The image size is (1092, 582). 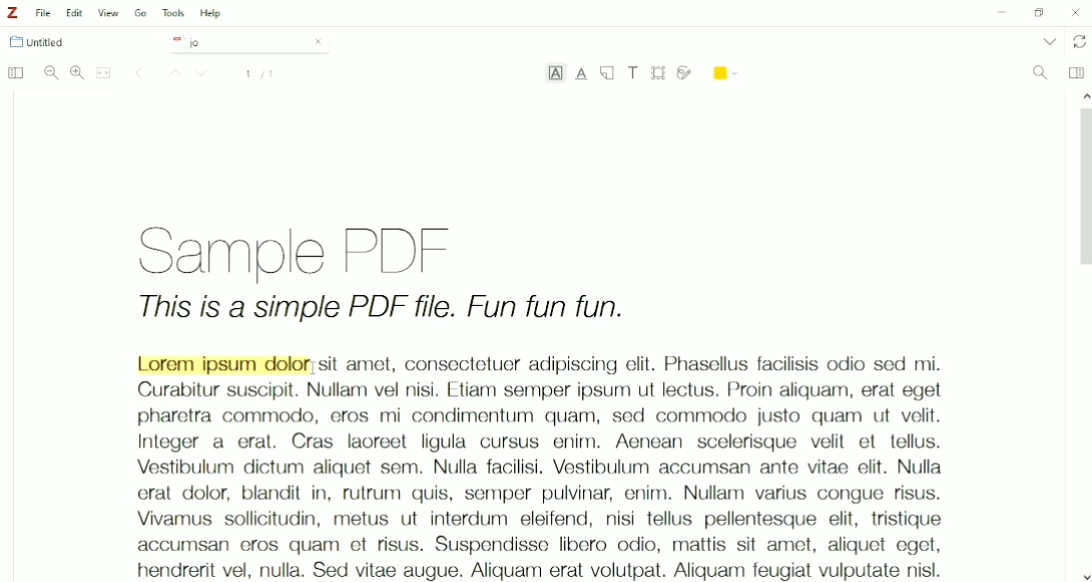 I want to click on Up, so click(x=172, y=74).